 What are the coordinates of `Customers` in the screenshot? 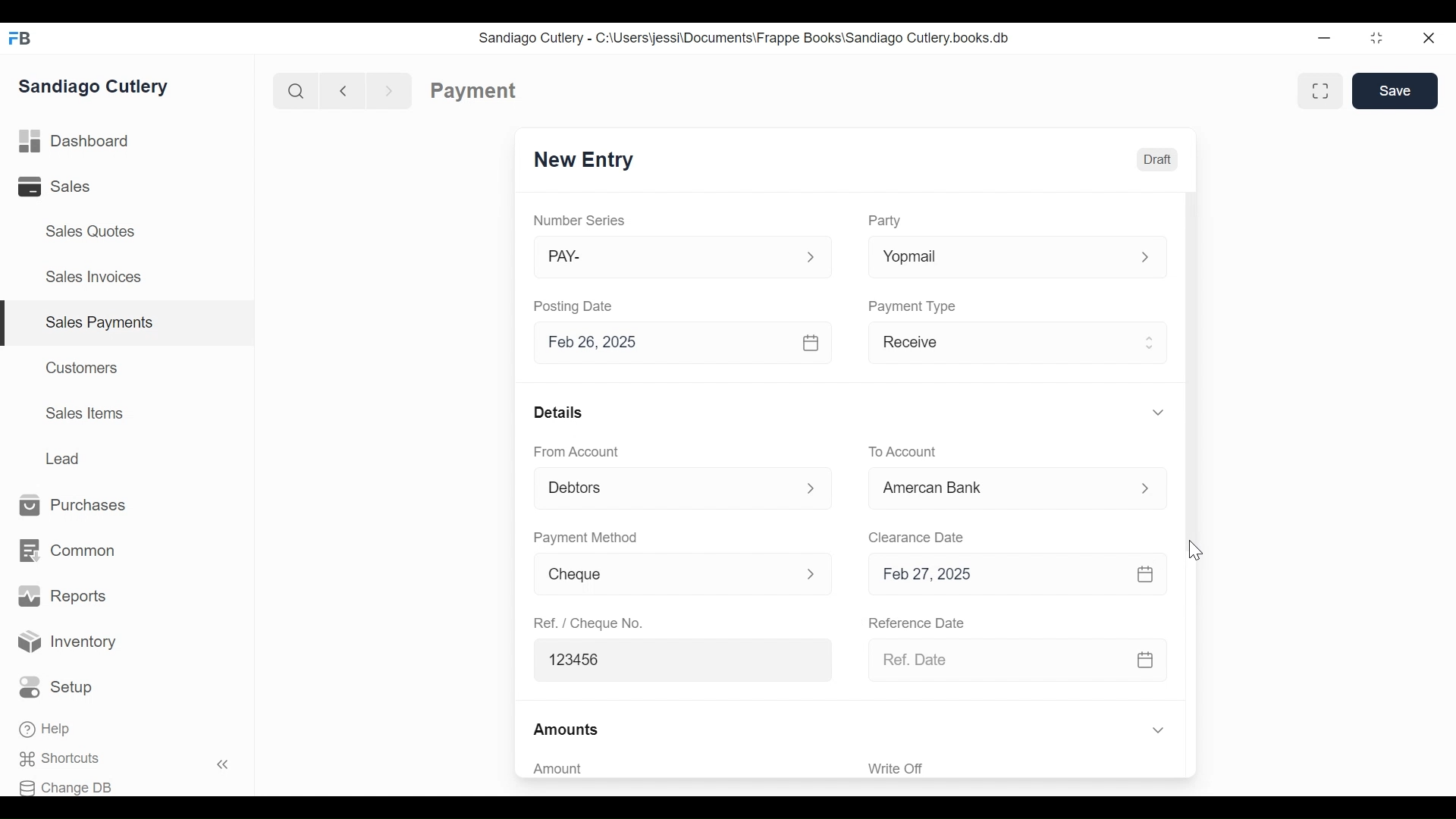 It's located at (83, 367).